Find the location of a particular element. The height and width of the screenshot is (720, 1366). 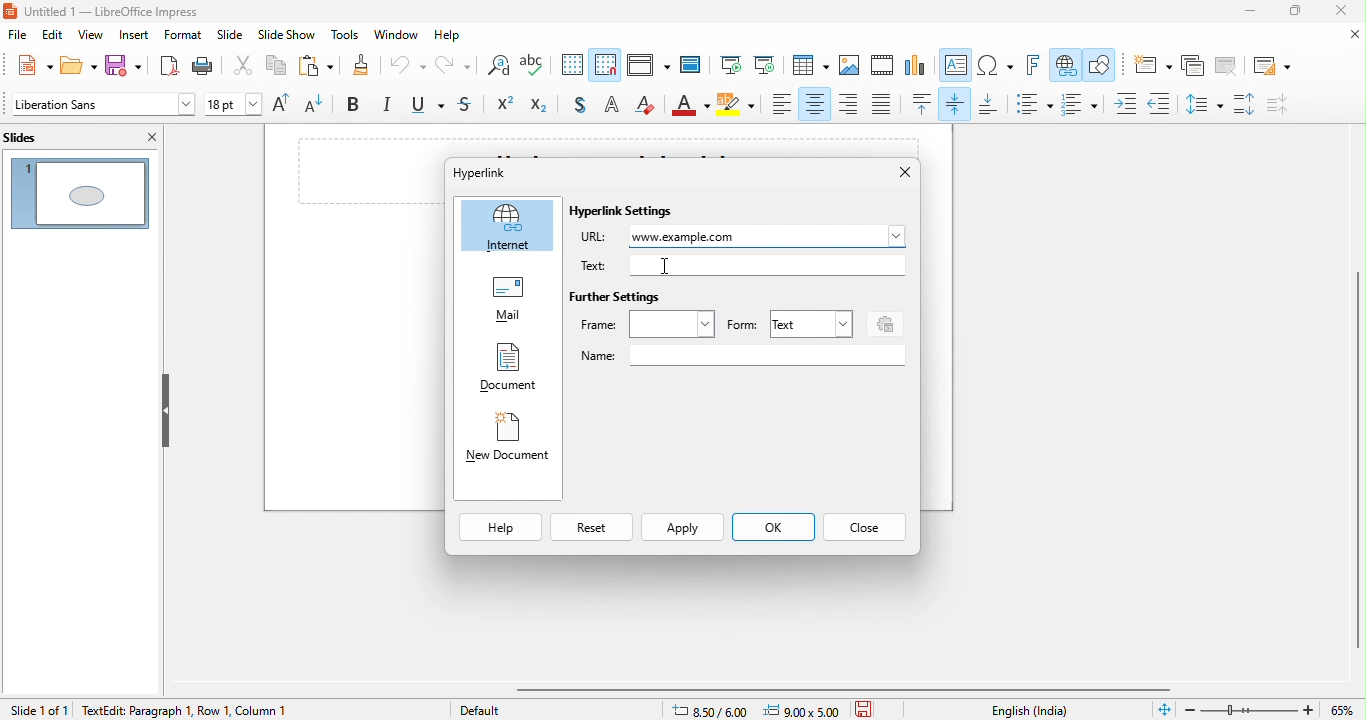

new document is located at coordinates (507, 442).